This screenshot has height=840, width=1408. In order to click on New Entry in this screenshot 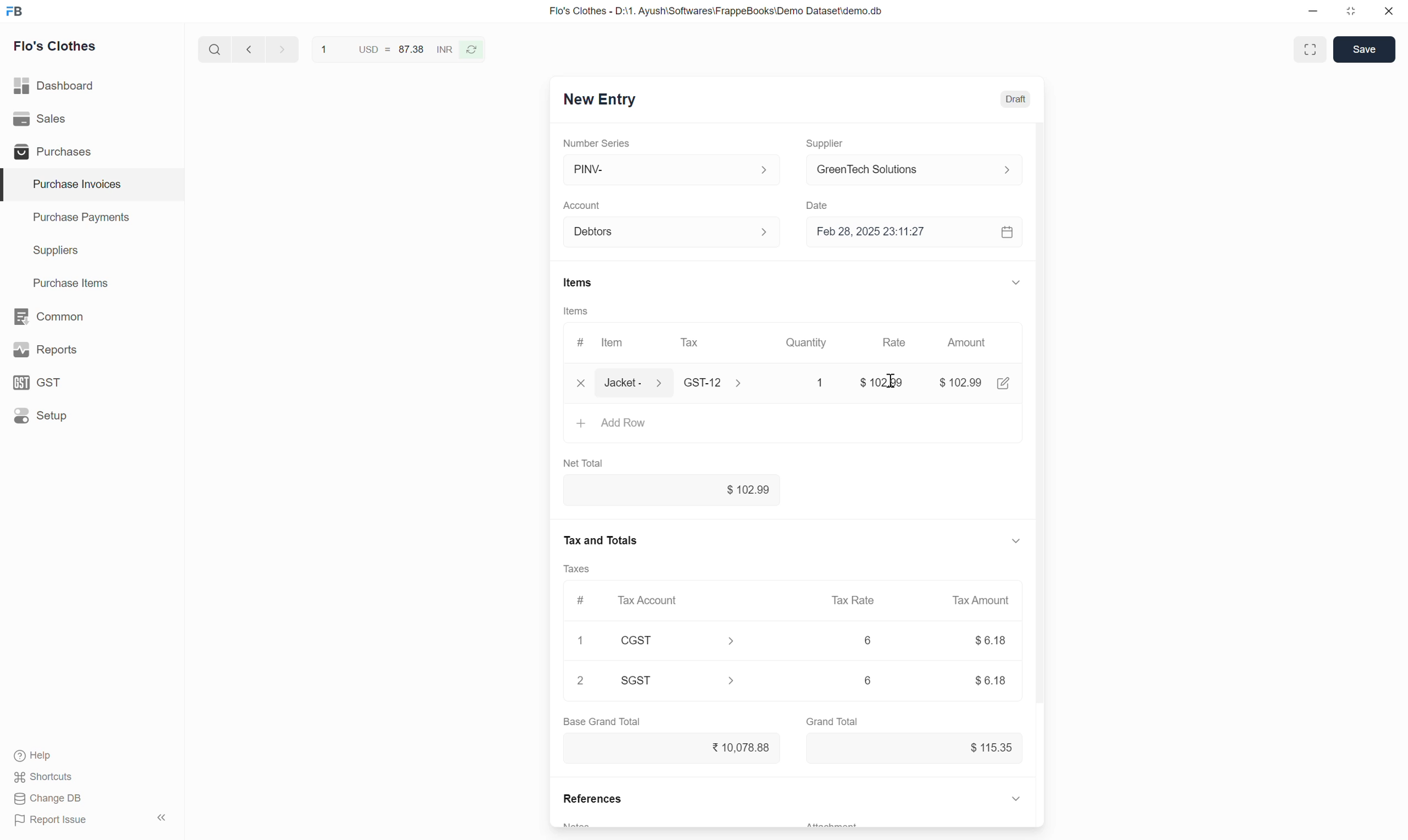, I will do `click(600, 100)`.